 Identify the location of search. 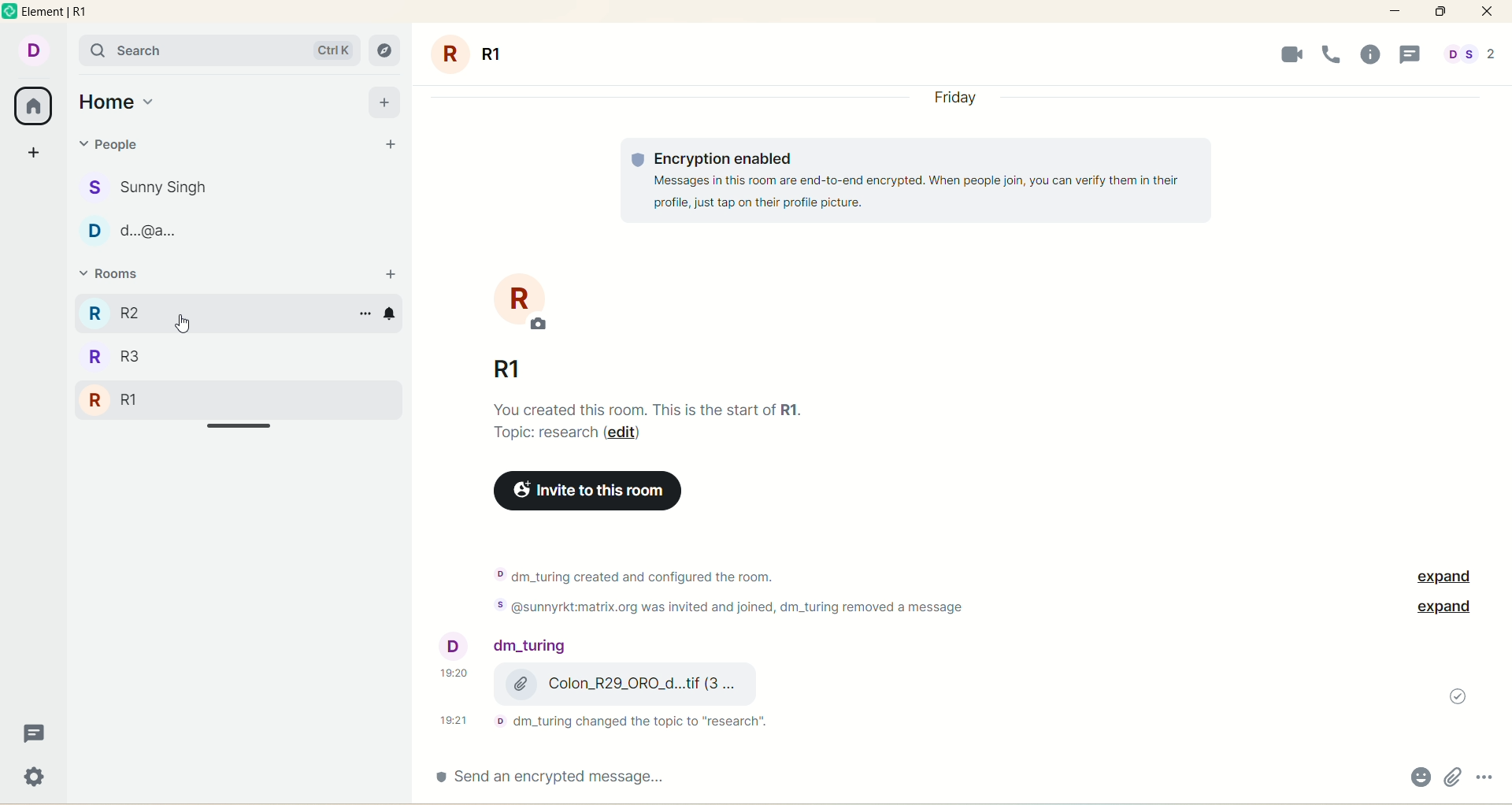
(218, 50).